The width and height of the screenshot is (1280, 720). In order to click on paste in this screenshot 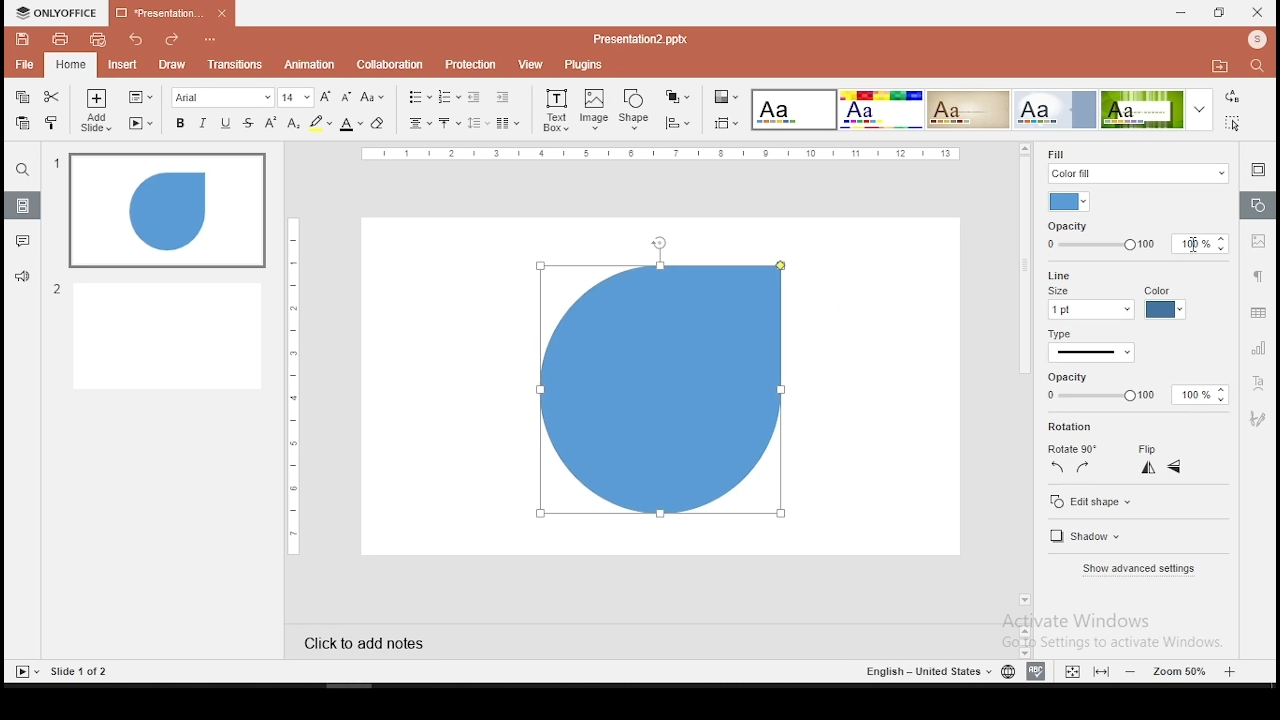, I will do `click(24, 122)`.